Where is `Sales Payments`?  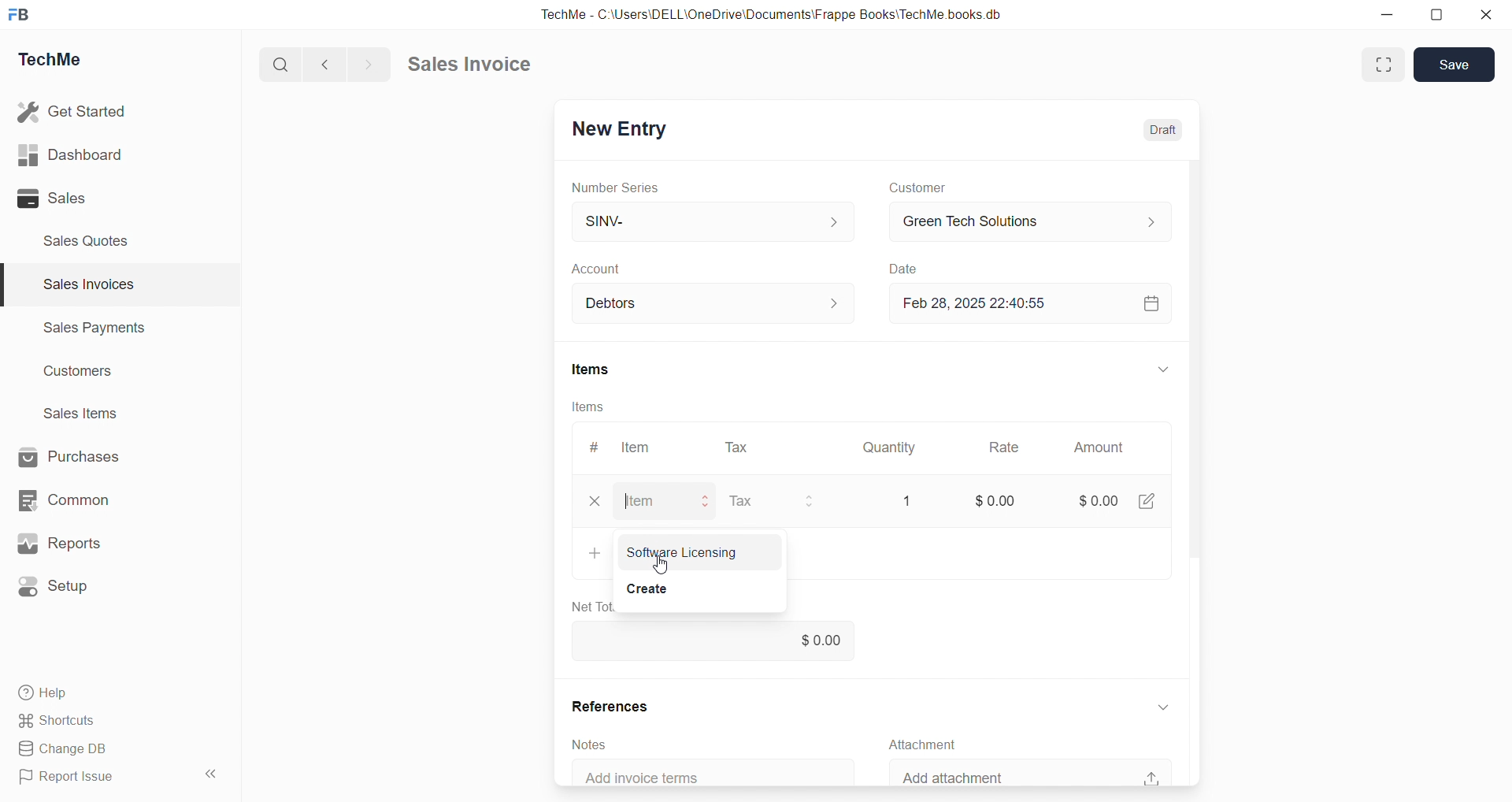 Sales Payments is located at coordinates (96, 326).